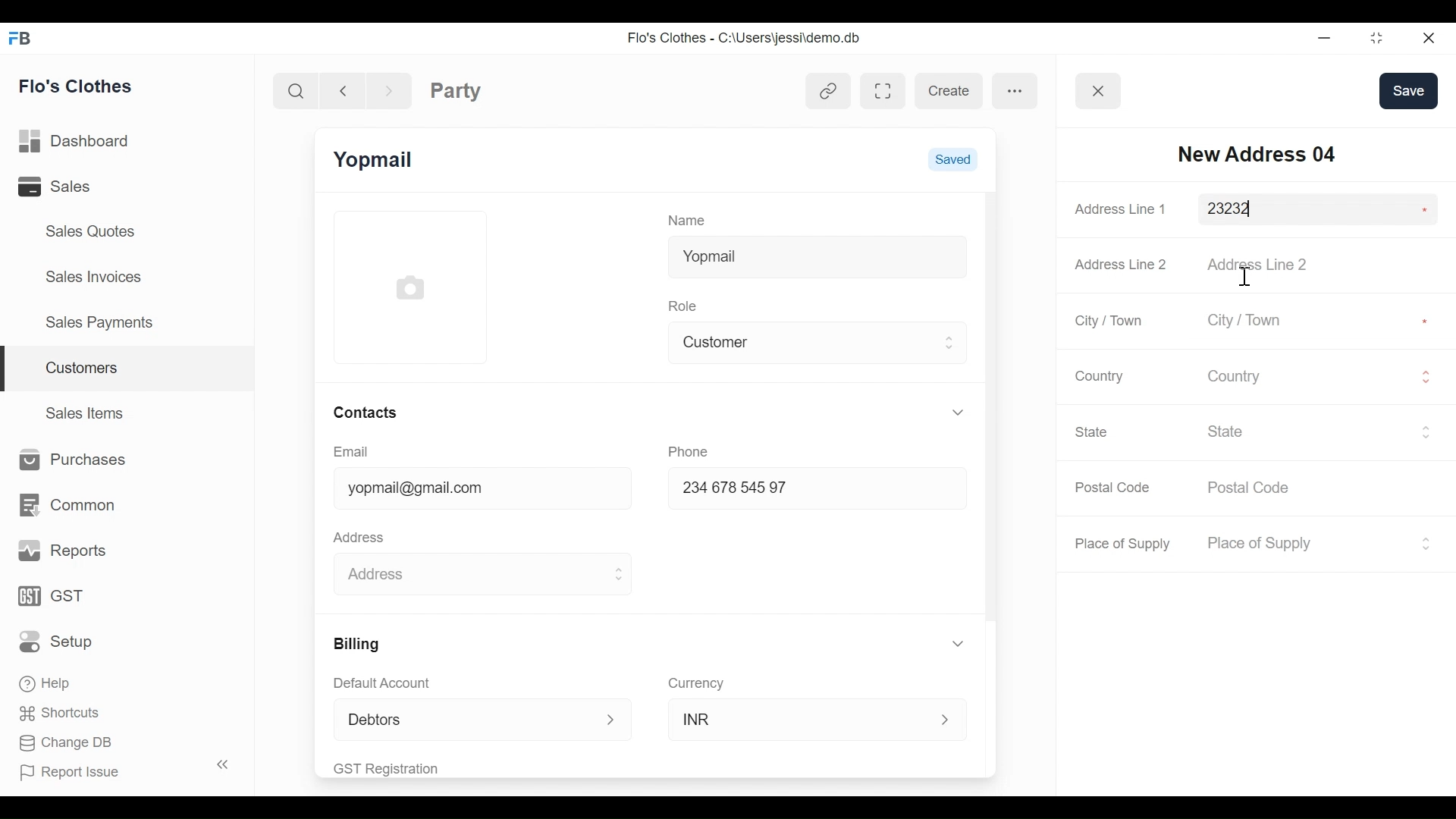 This screenshot has width=1456, height=819. Describe the element at coordinates (1304, 544) in the screenshot. I see `Place of Supply` at that location.